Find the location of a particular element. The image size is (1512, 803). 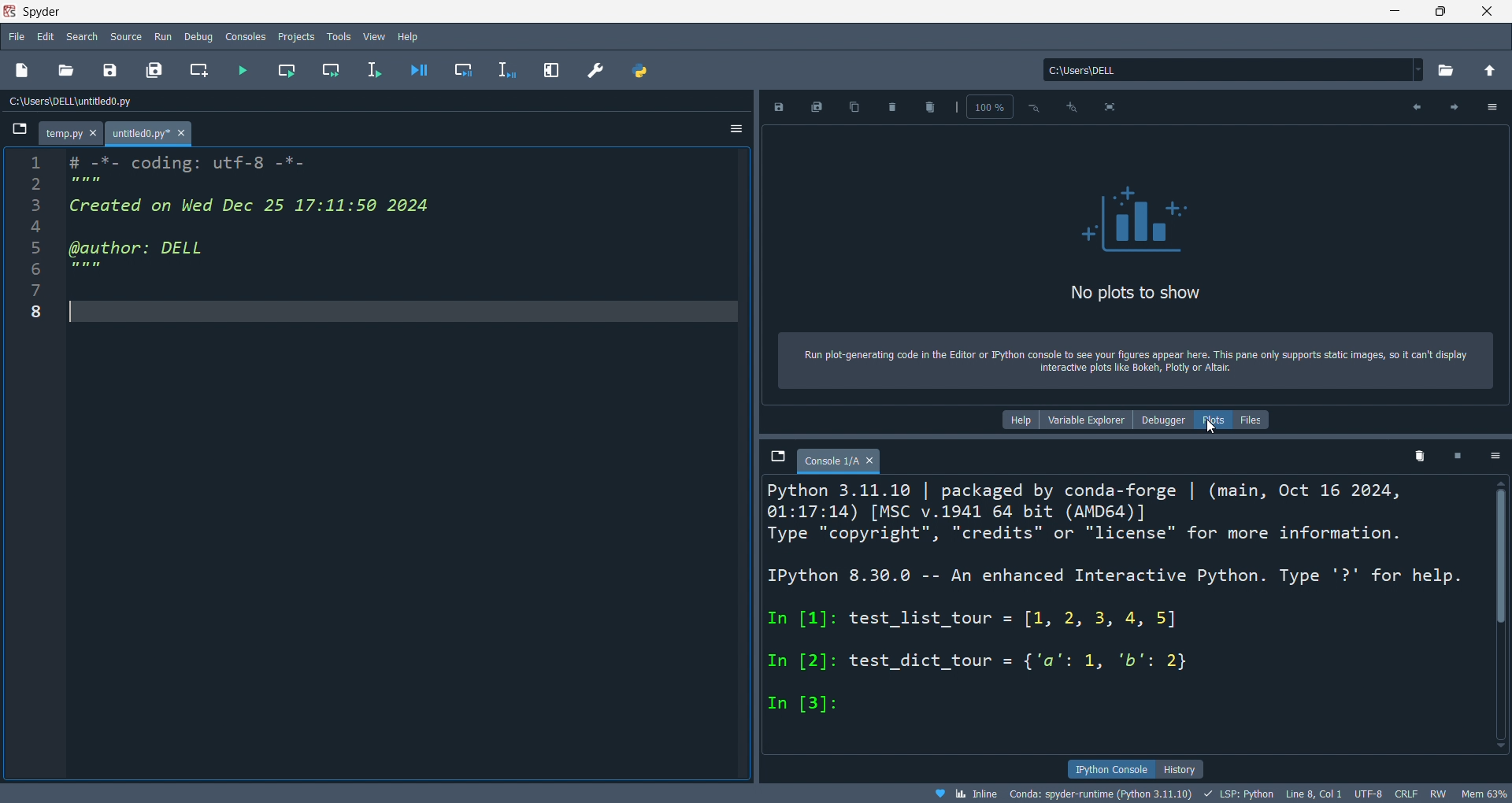

new cell is located at coordinates (198, 70).